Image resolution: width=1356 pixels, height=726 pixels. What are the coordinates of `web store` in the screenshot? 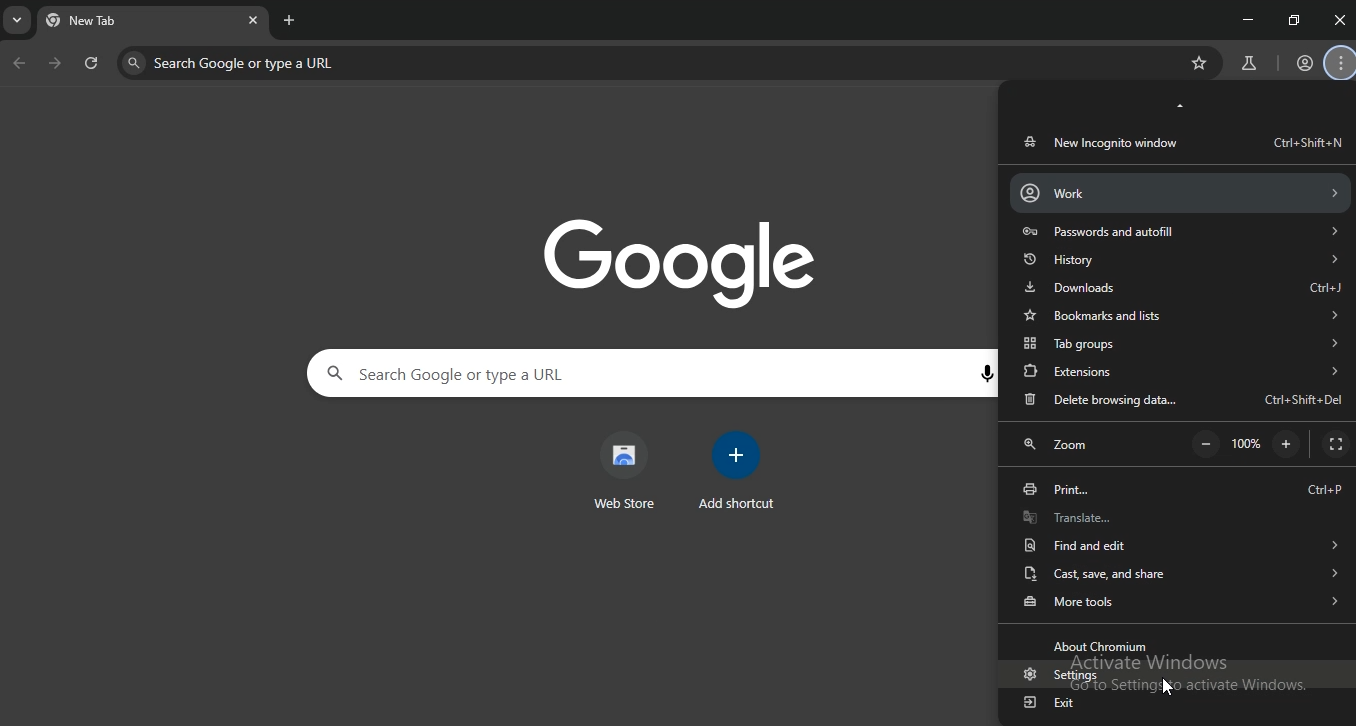 It's located at (625, 471).